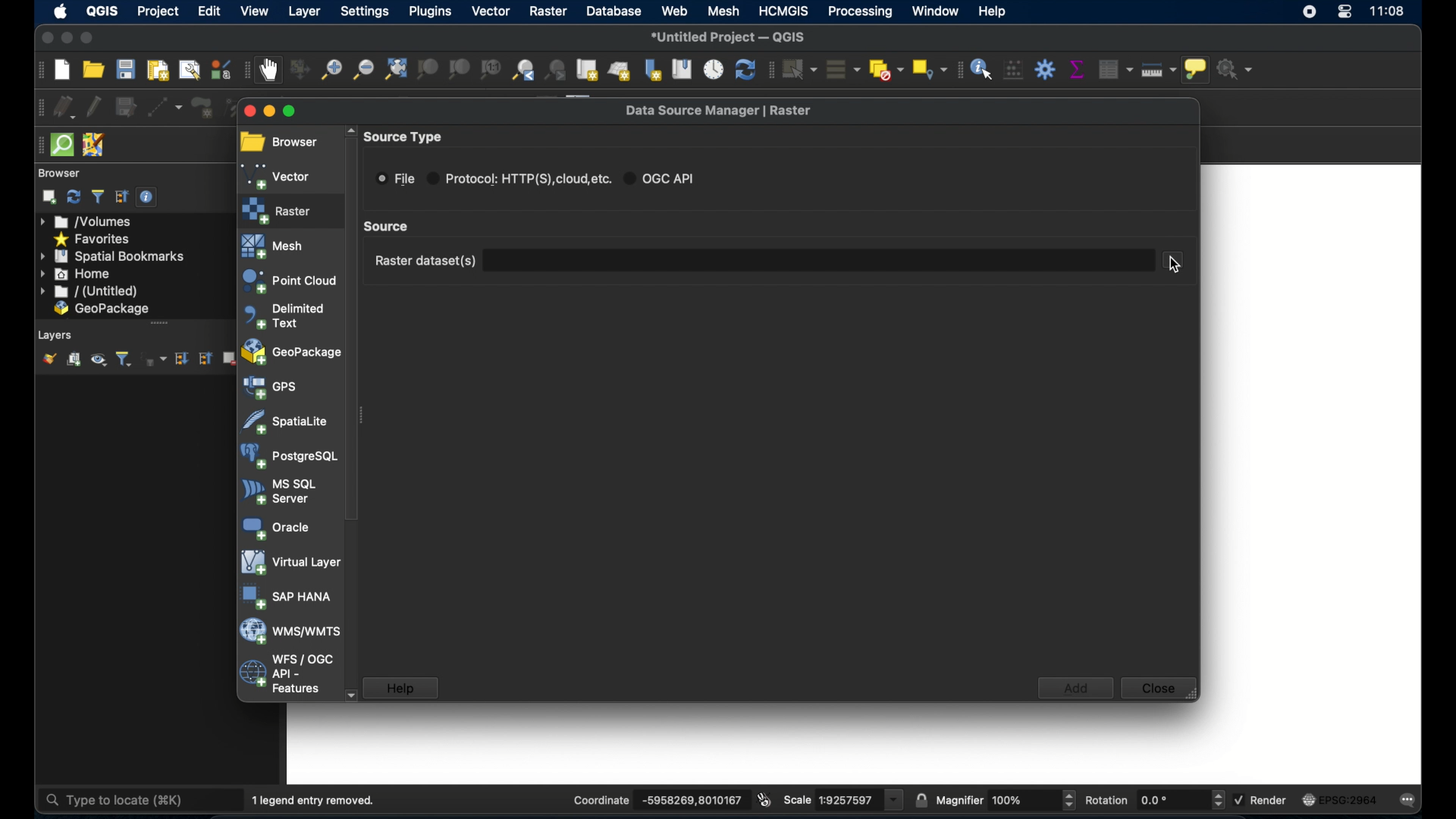  What do you see at coordinates (599, 799) in the screenshot?
I see `coordinate` at bounding box center [599, 799].